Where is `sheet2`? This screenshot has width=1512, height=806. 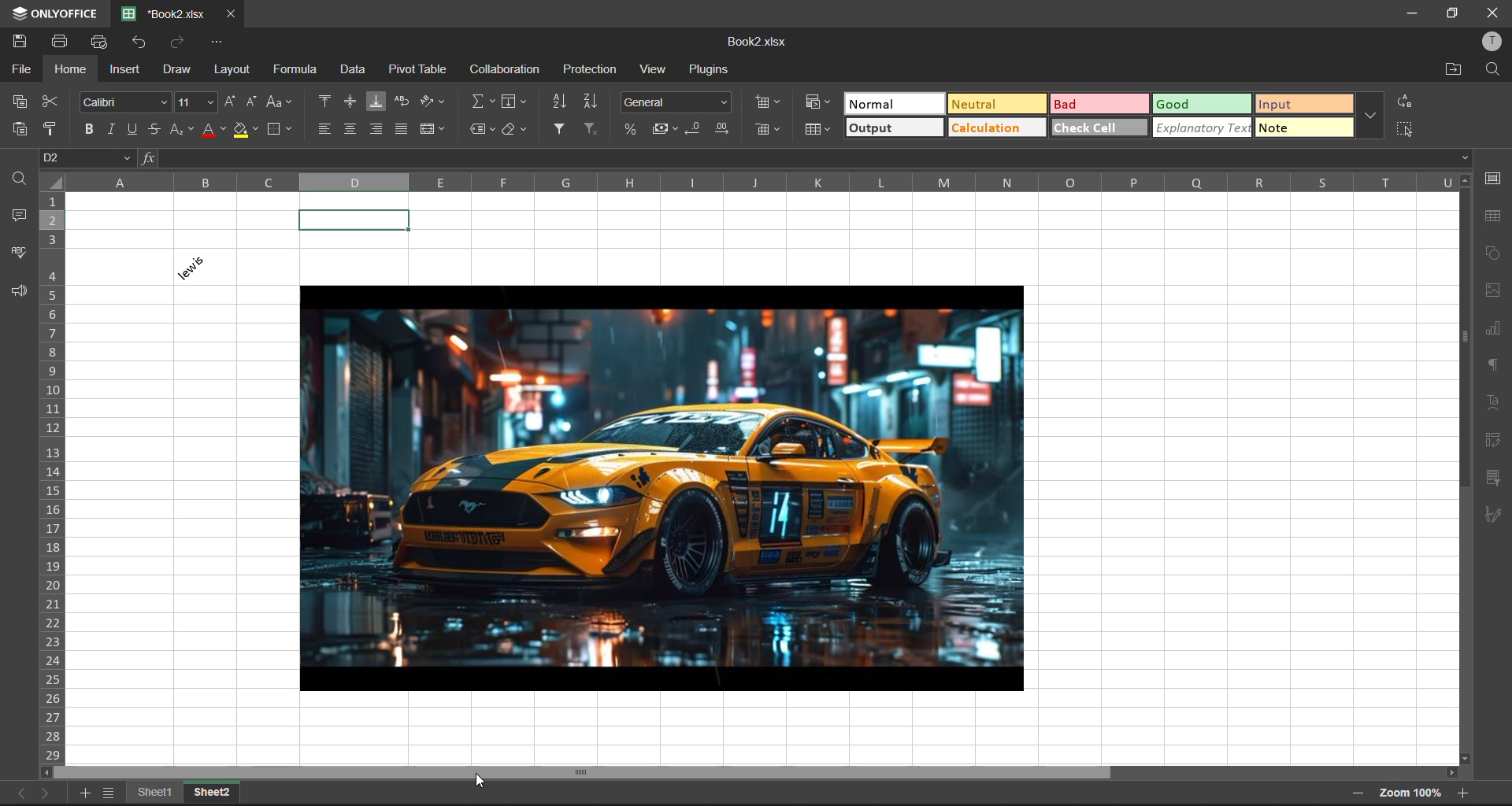
sheet2 is located at coordinates (216, 793).